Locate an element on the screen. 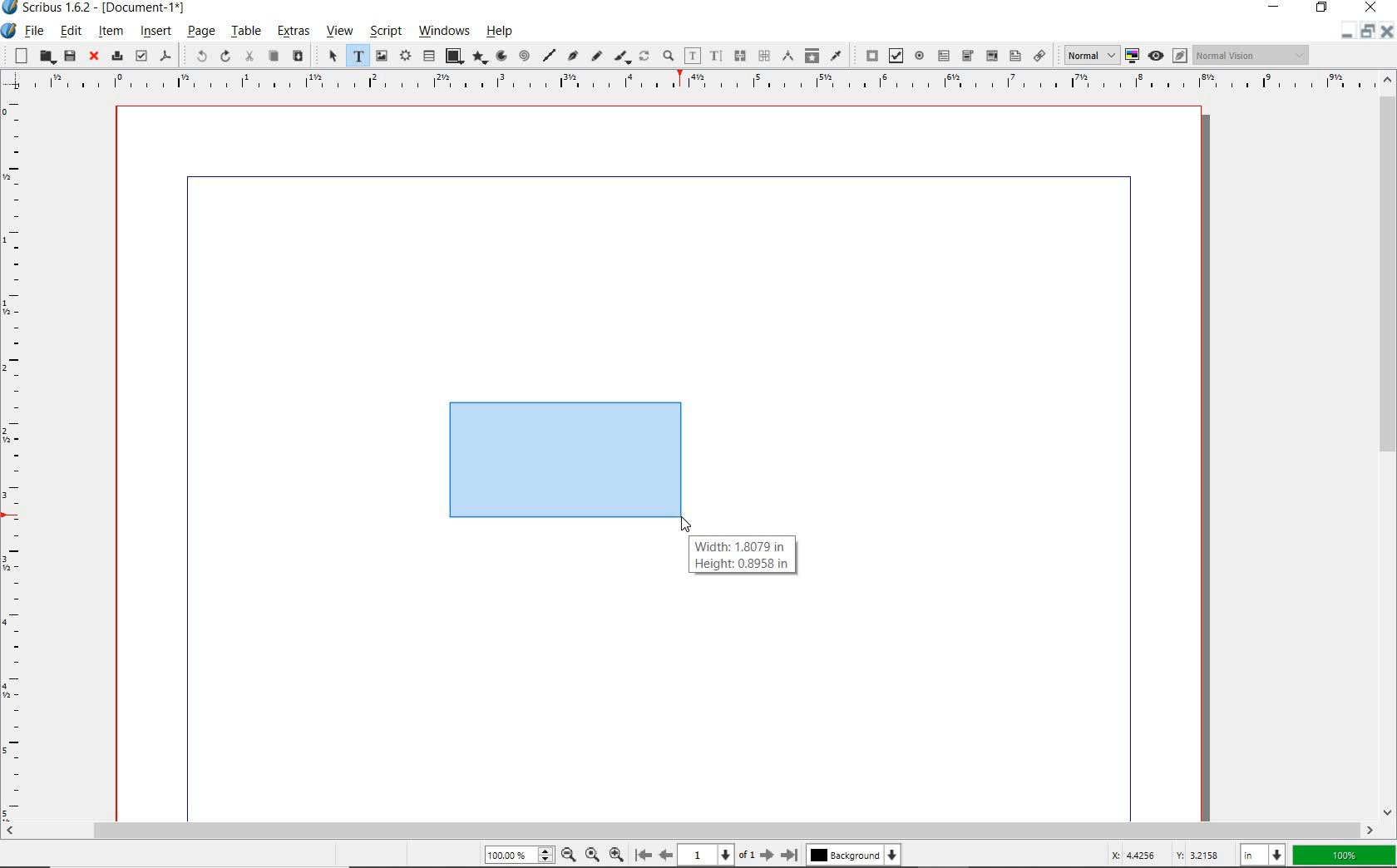 The width and height of the screenshot is (1397, 868). Previous Page is located at coordinates (667, 856).